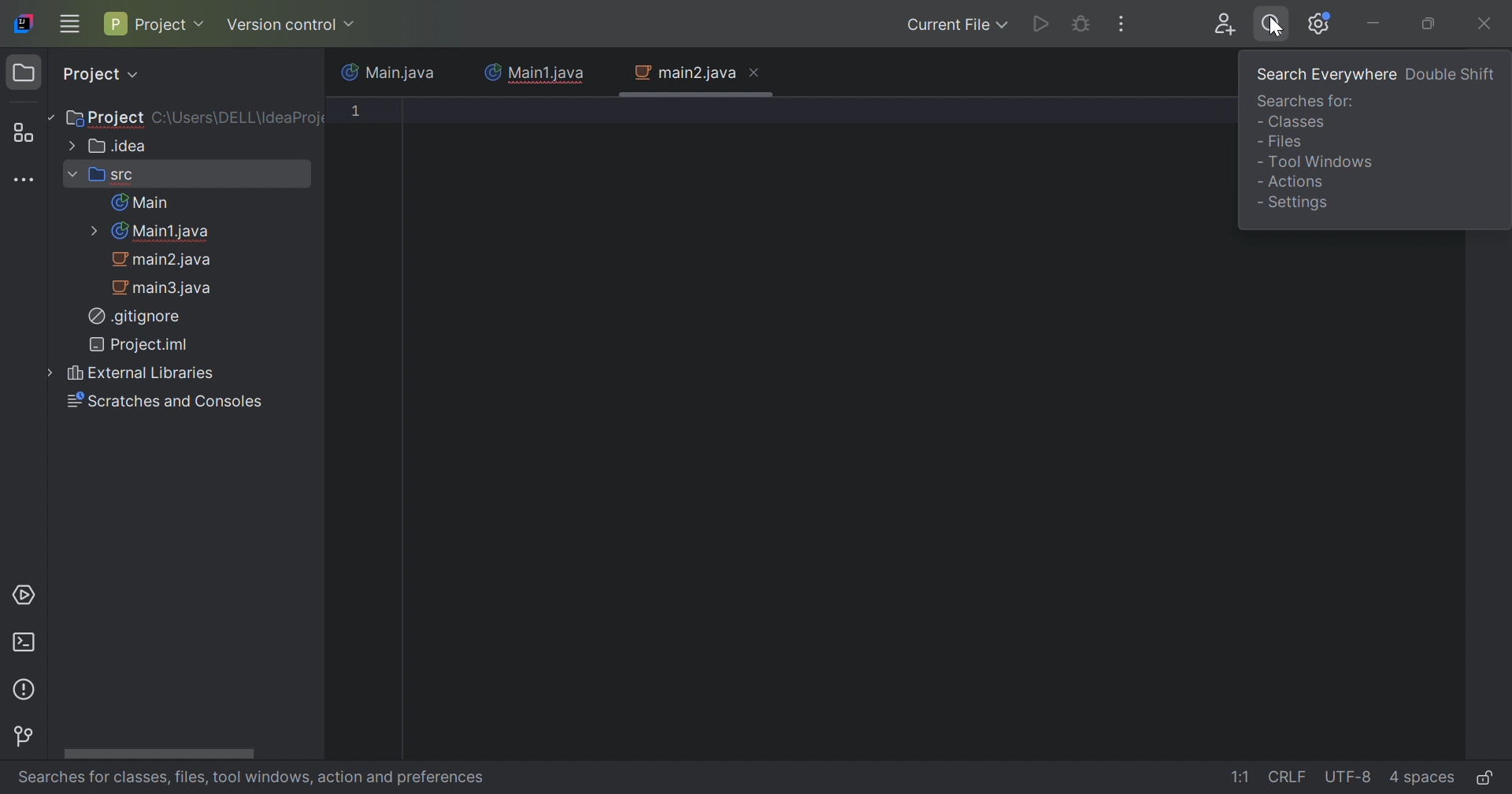 The width and height of the screenshot is (1512, 794). What do you see at coordinates (1489, 24) in the screenshot?
I see `Close` at bounding box center [1489, 24].